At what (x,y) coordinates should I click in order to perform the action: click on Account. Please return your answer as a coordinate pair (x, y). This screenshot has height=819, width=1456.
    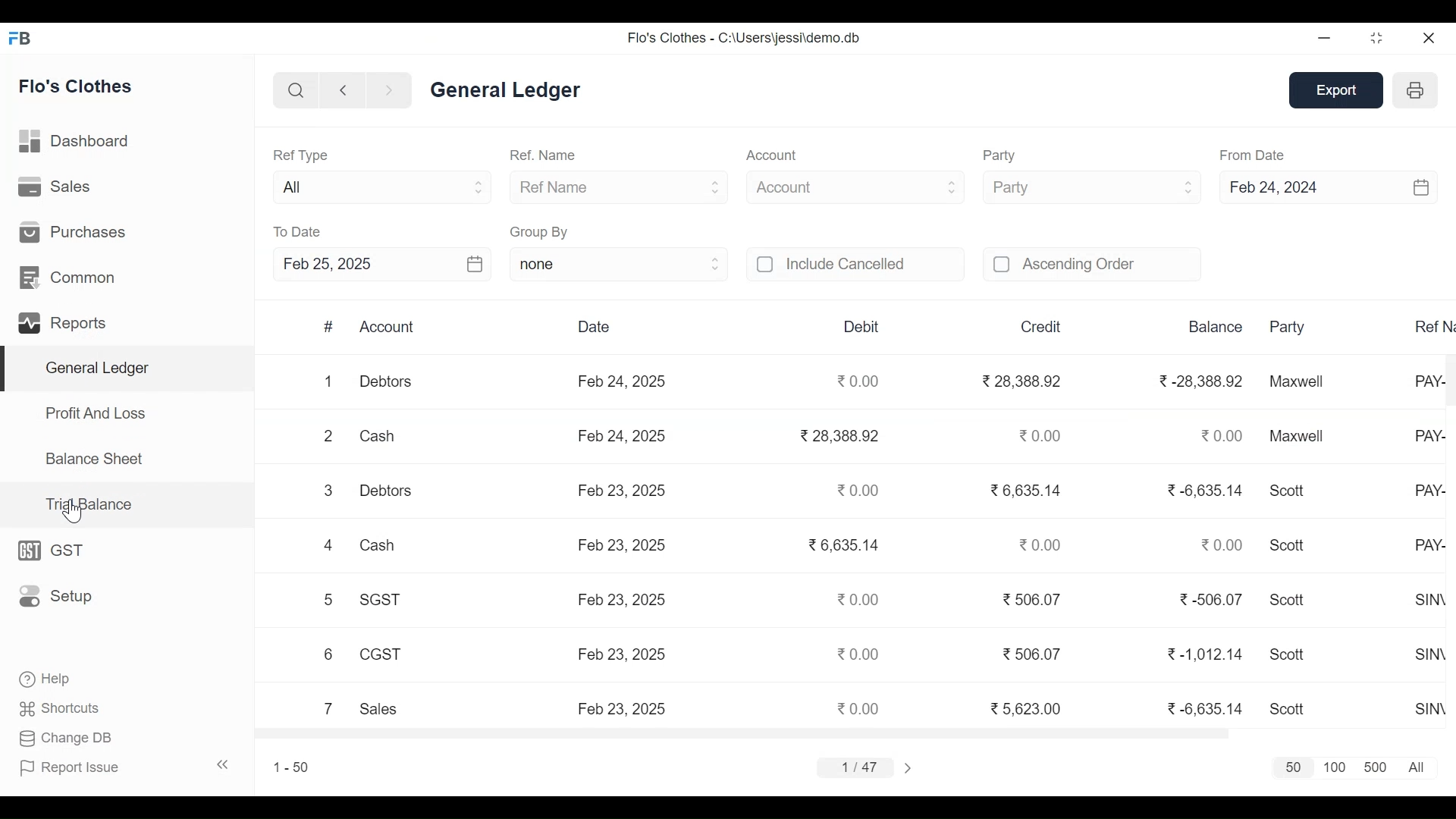
    Looking at the image, I should click on (856, 188).